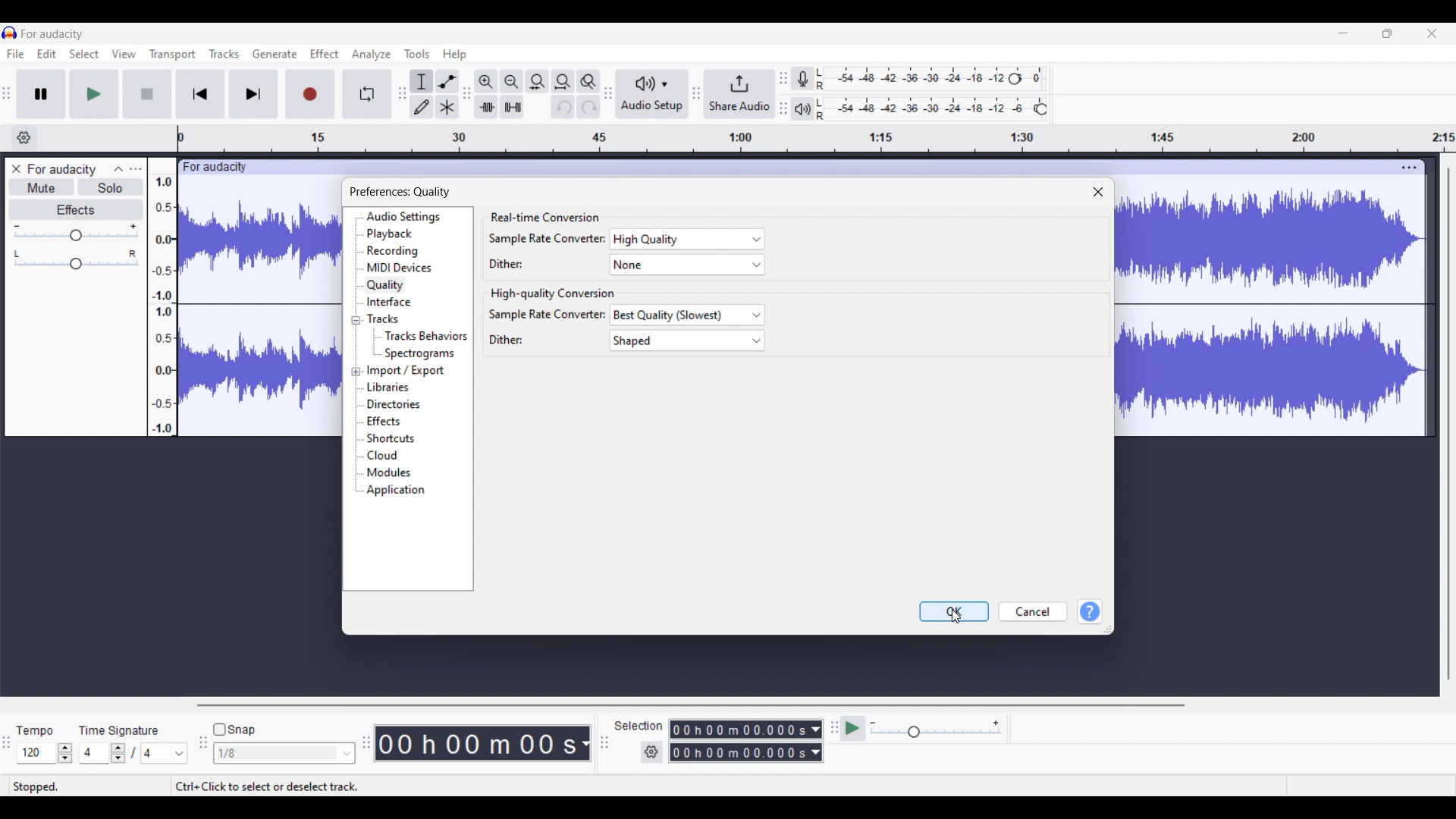 Image resolution: width=1456 pixels, height=819 pixels. Describe the element at coordinates (802, 79) in the screenshot. I see `Record meter` at that location.